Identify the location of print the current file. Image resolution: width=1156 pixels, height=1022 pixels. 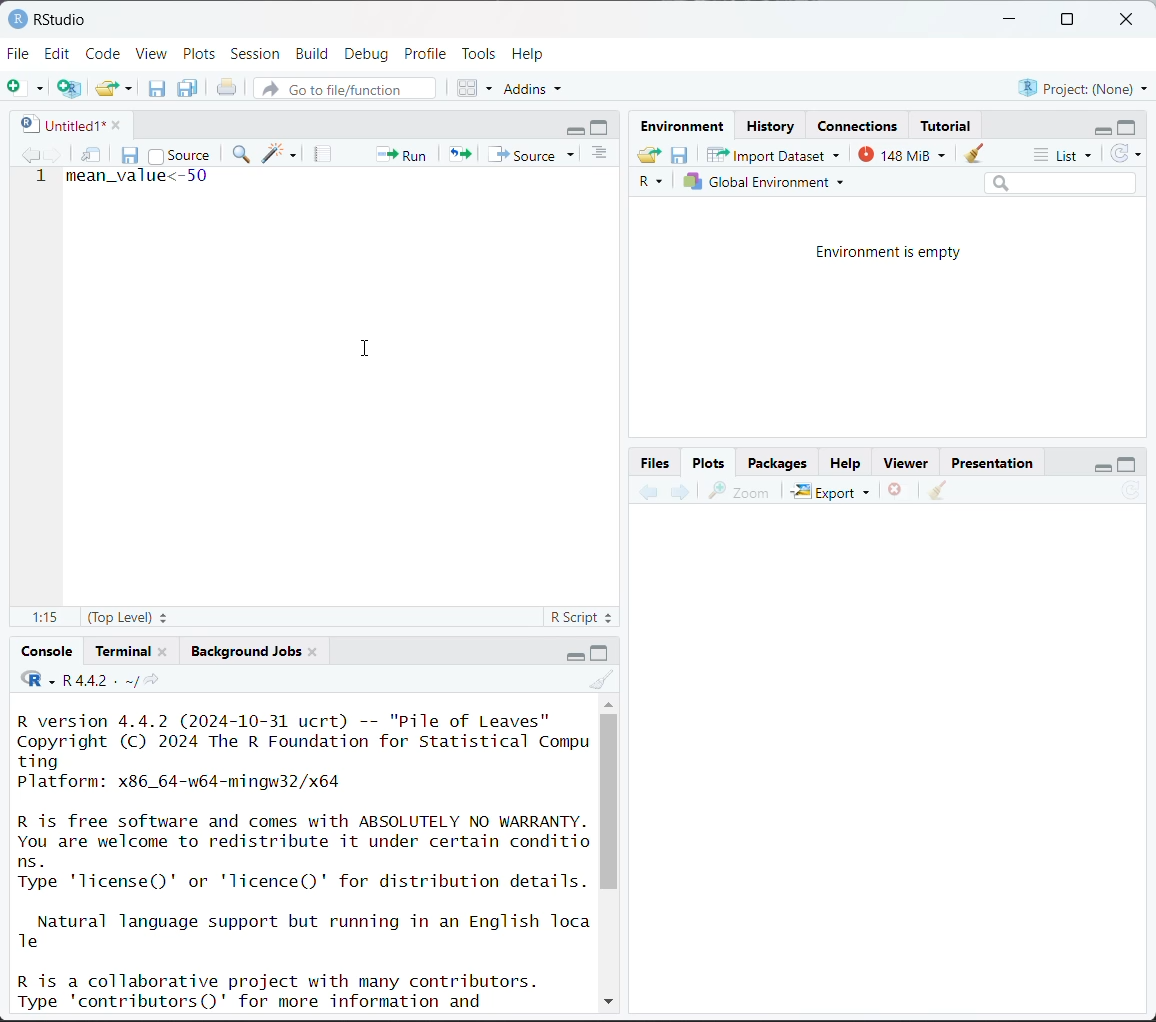
(228, 88).